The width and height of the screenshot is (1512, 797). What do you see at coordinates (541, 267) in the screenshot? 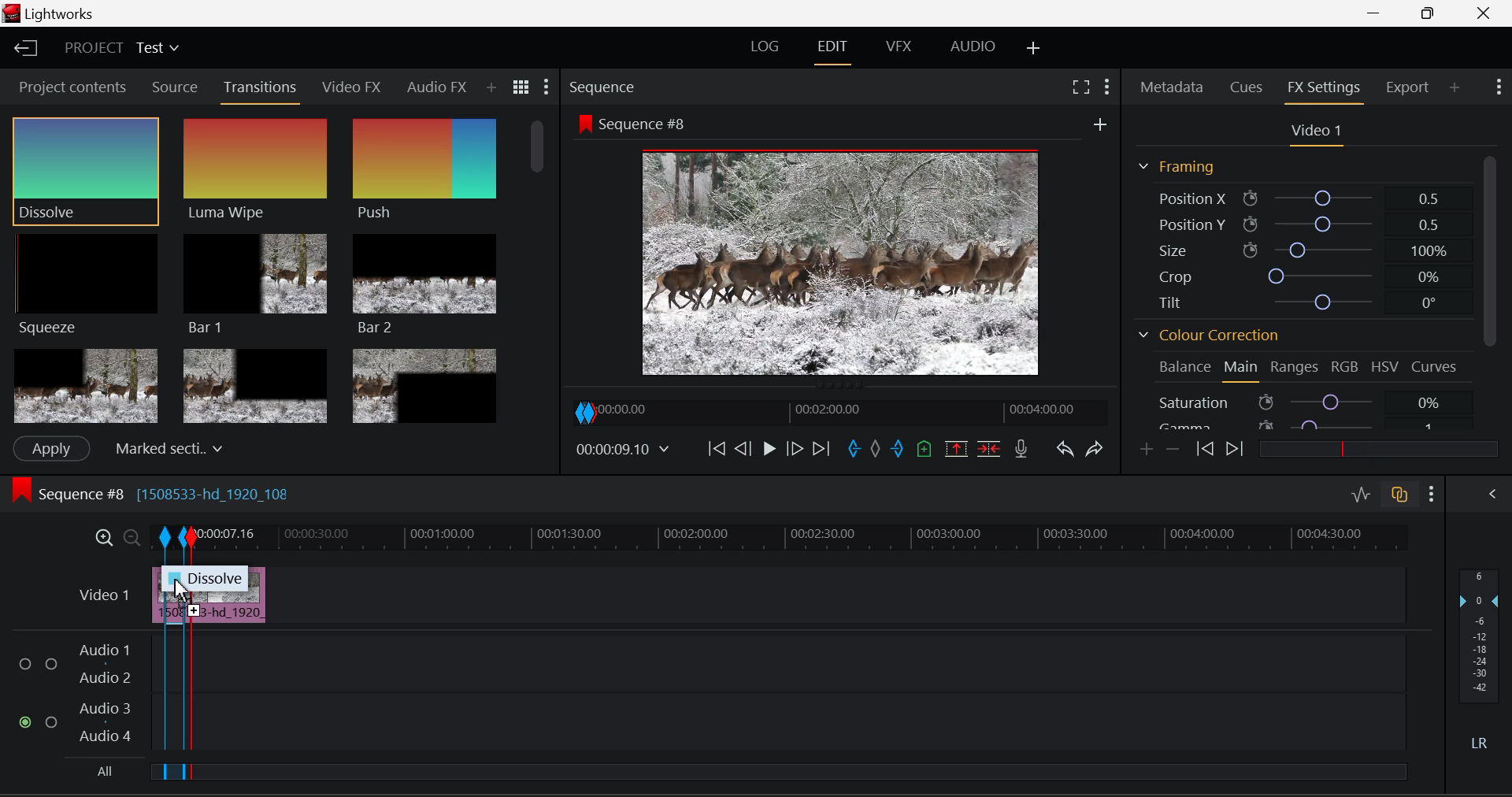
I see `Scroll Bar` at bounding box center [541, 267].